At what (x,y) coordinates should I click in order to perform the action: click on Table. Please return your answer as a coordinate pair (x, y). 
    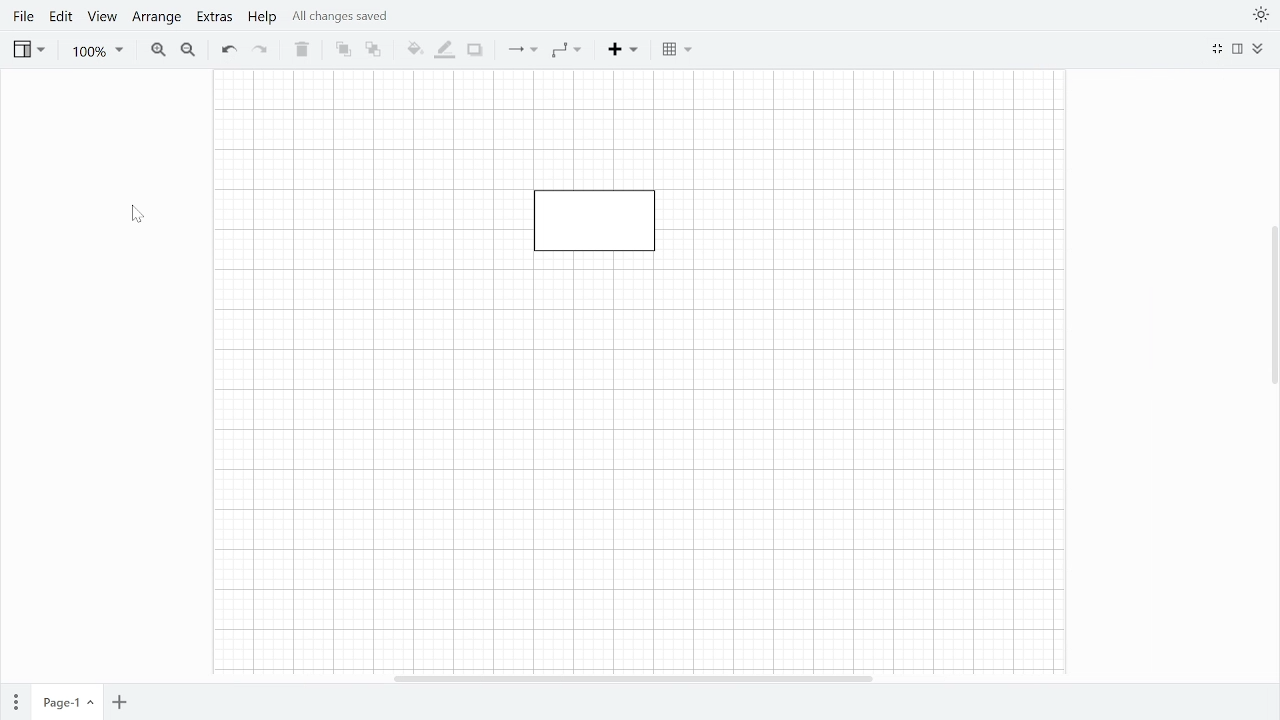
    Looking at the image, I should click on (680, 52).